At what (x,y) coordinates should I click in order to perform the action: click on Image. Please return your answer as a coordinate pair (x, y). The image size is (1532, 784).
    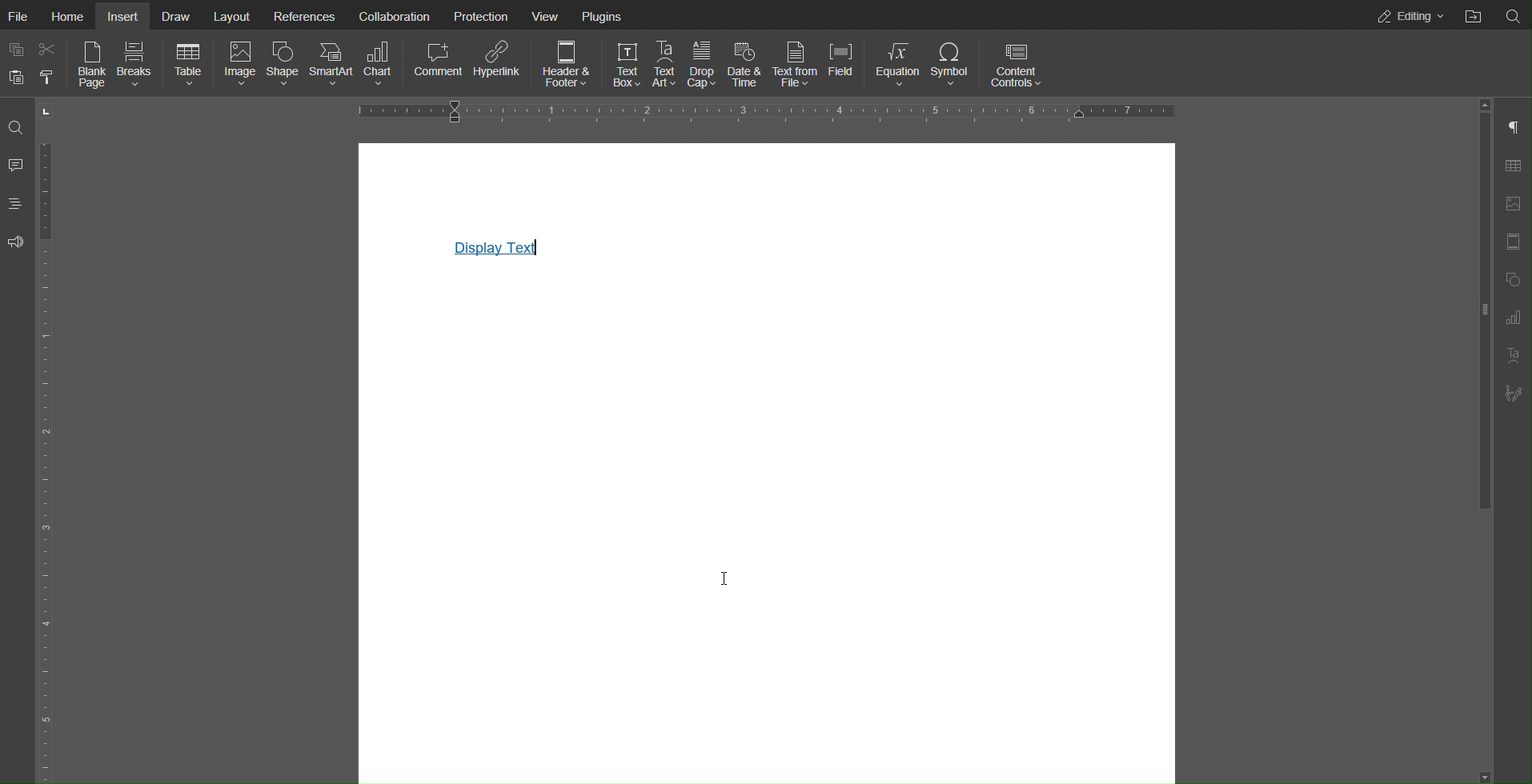
    Looking at the image, I should click on (241, 65).